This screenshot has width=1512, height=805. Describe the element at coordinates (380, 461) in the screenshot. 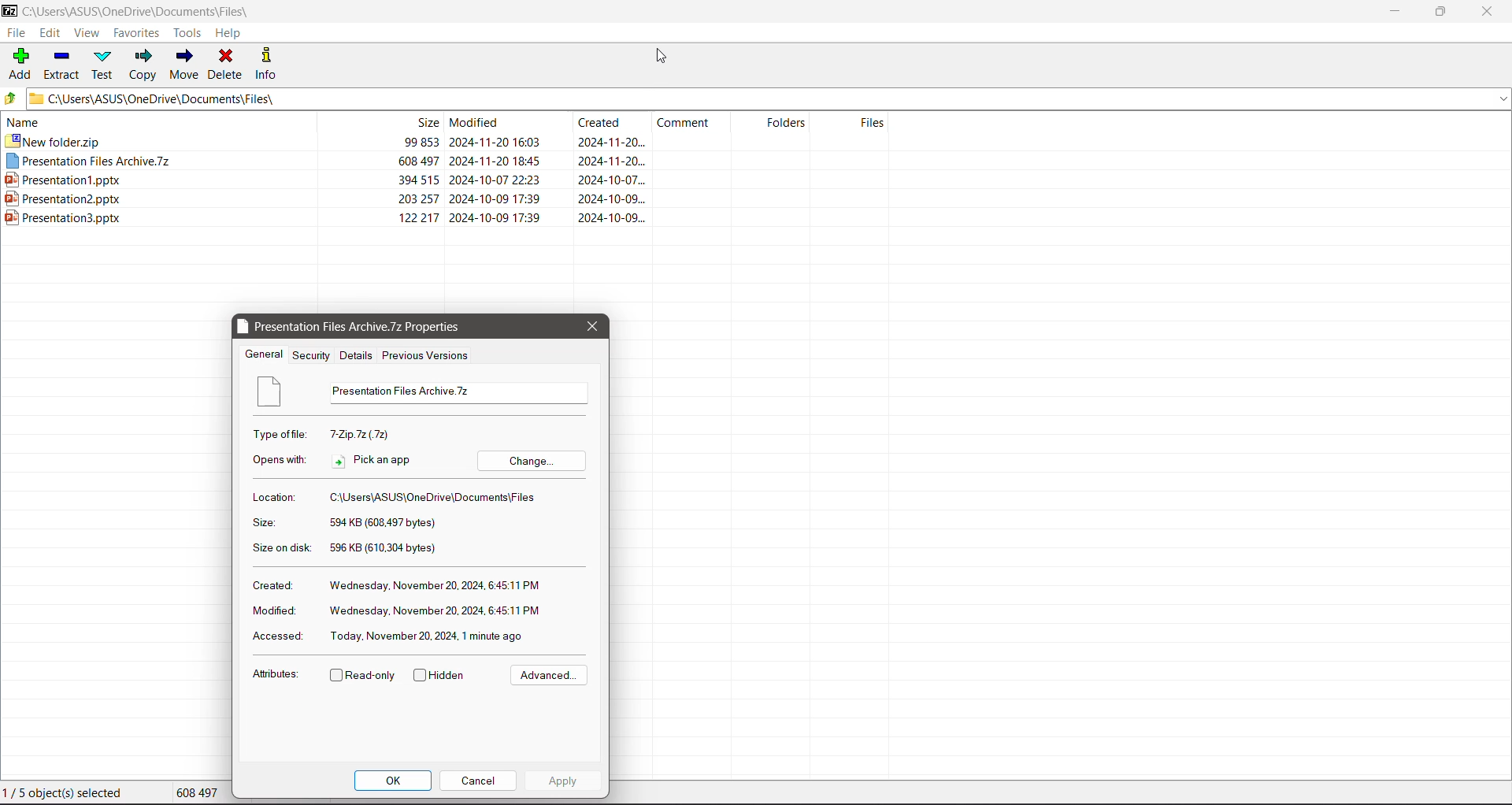

I see `Click to pick and app` at that location.